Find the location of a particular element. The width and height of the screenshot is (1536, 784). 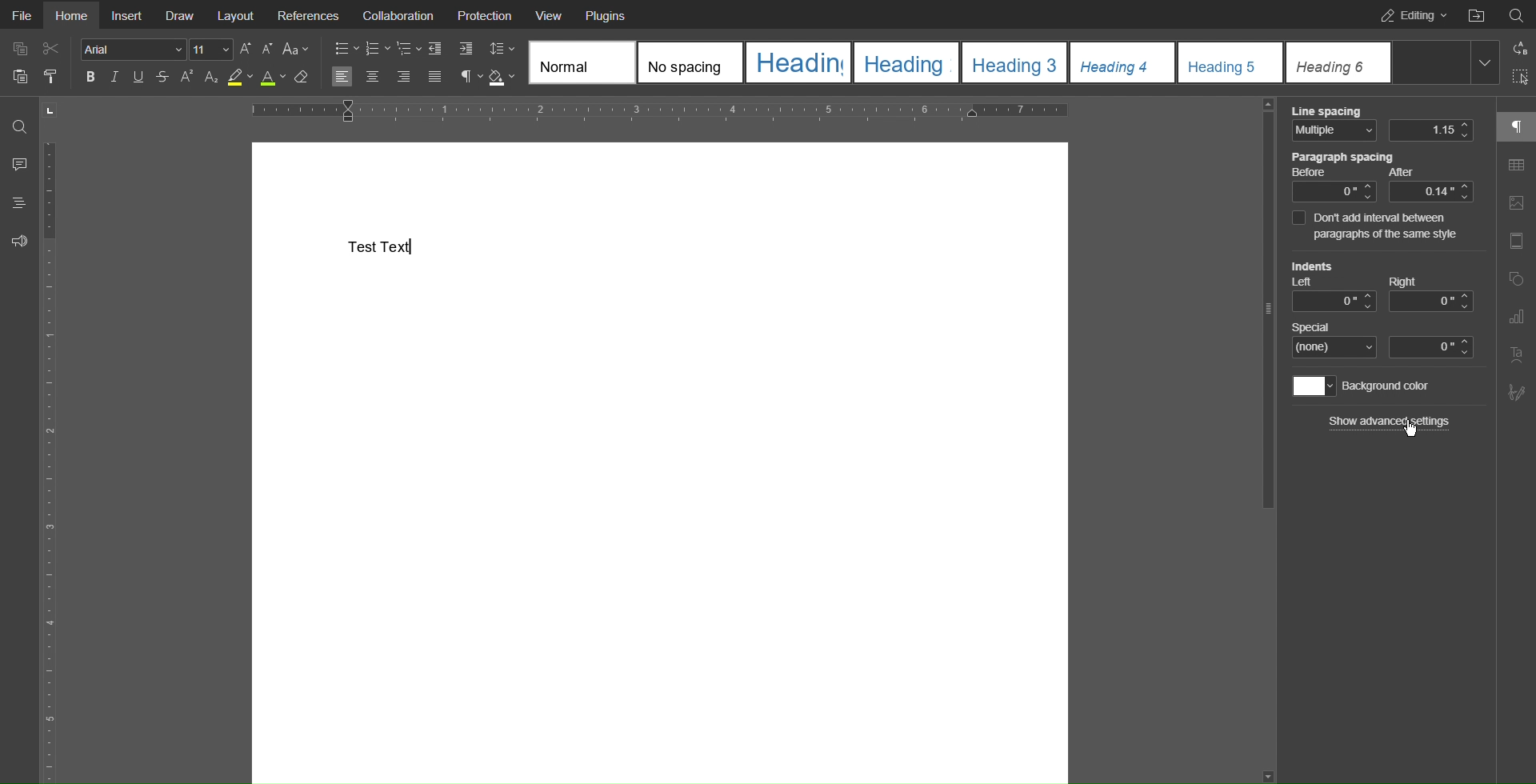

Draw is located at coordinates (181, 14).